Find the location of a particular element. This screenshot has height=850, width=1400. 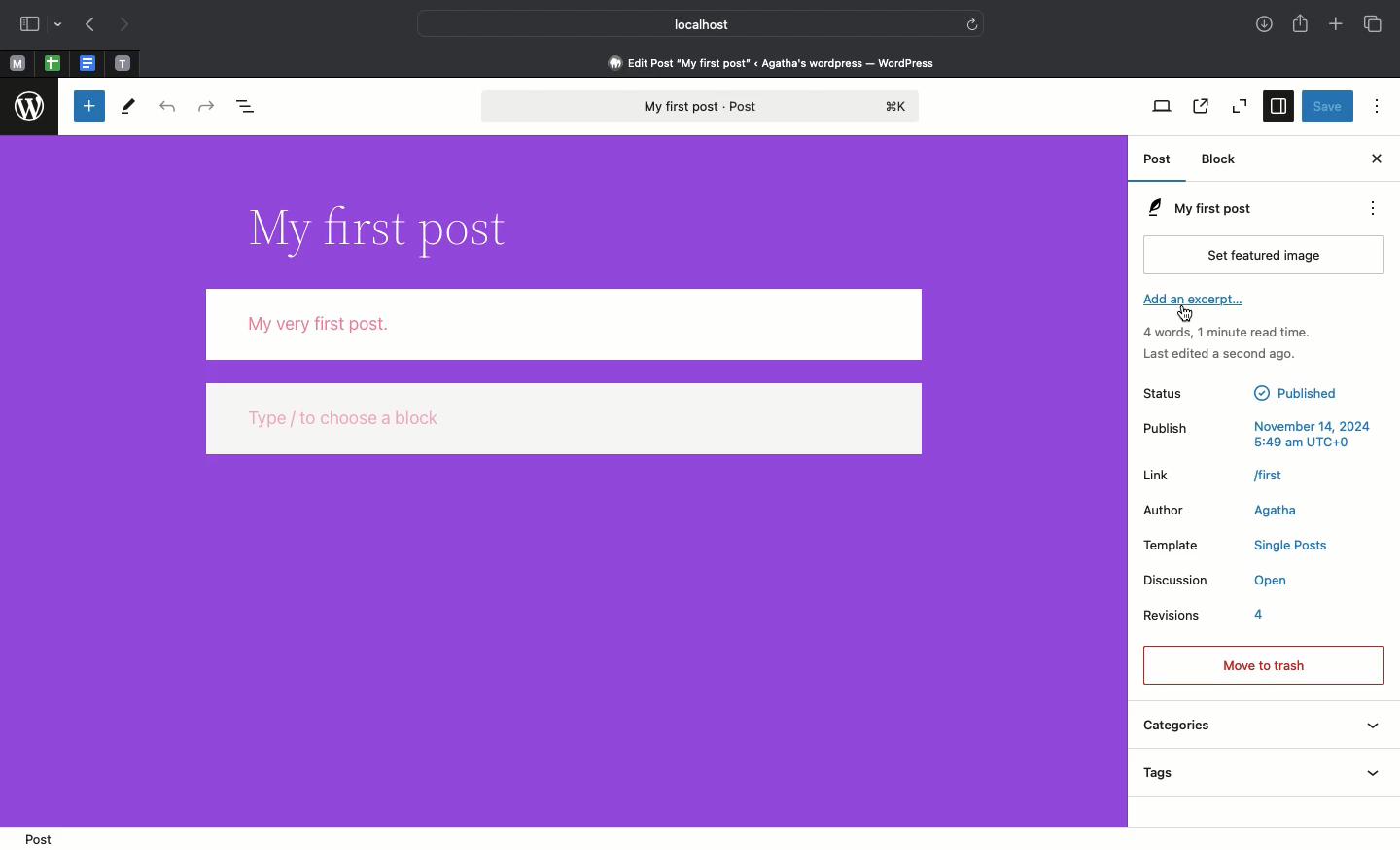

Link is located at coordinates (1215, 475).